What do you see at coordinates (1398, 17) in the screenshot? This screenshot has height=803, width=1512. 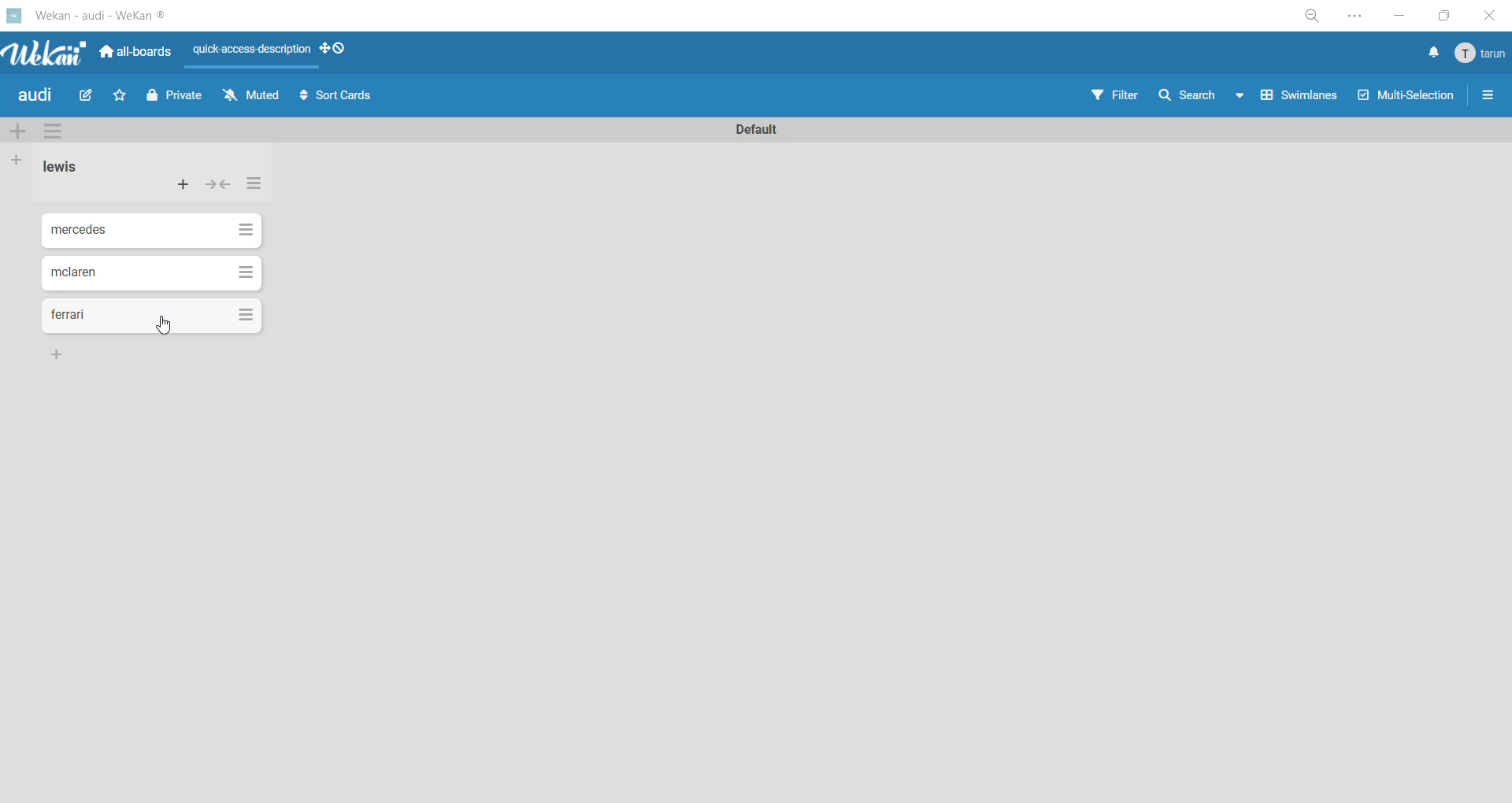 I see `minimize` at bounding box center [1398, 17].